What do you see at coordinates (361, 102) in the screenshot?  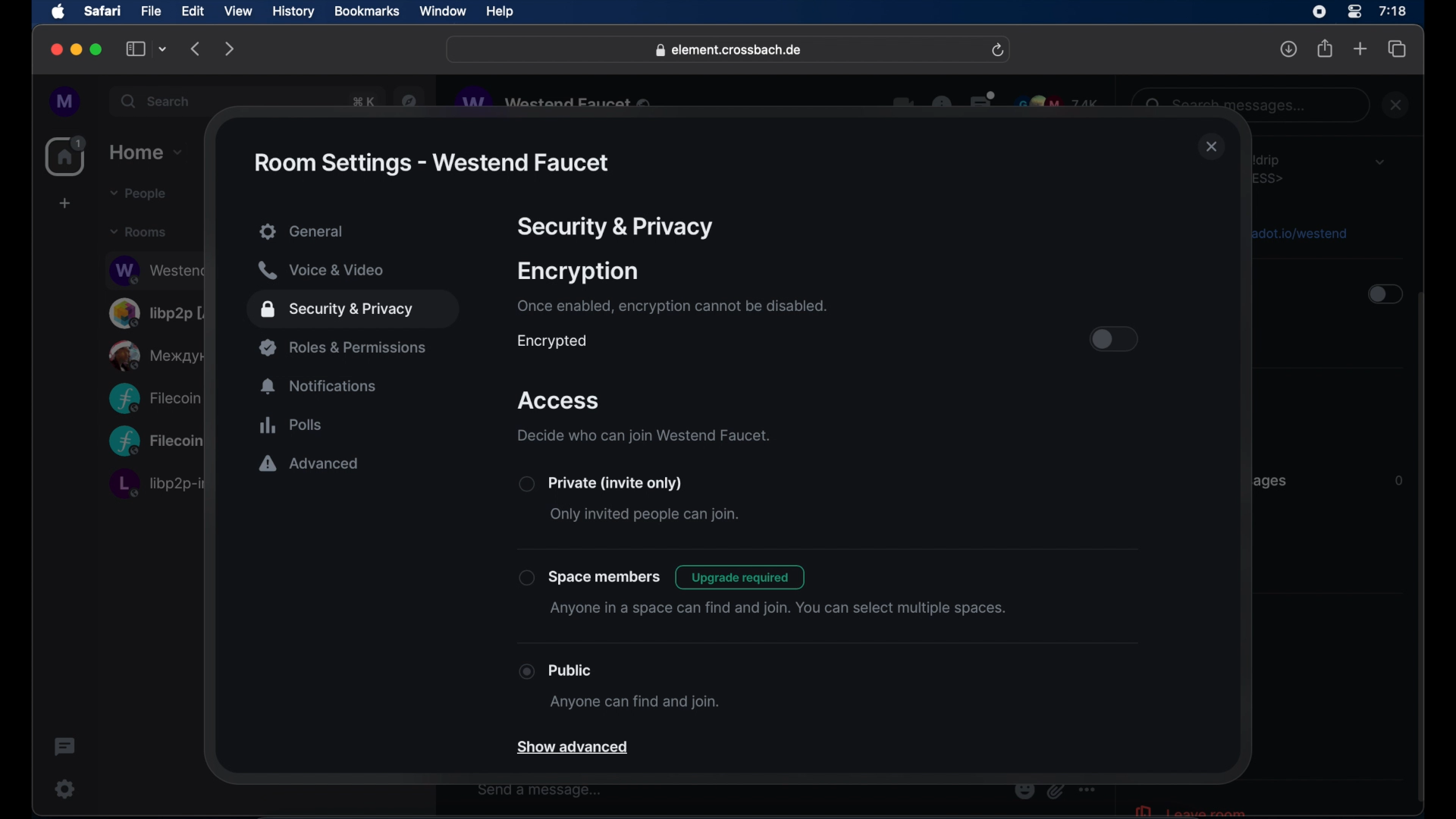 I see `obscure` at bounding box center [361, 102].